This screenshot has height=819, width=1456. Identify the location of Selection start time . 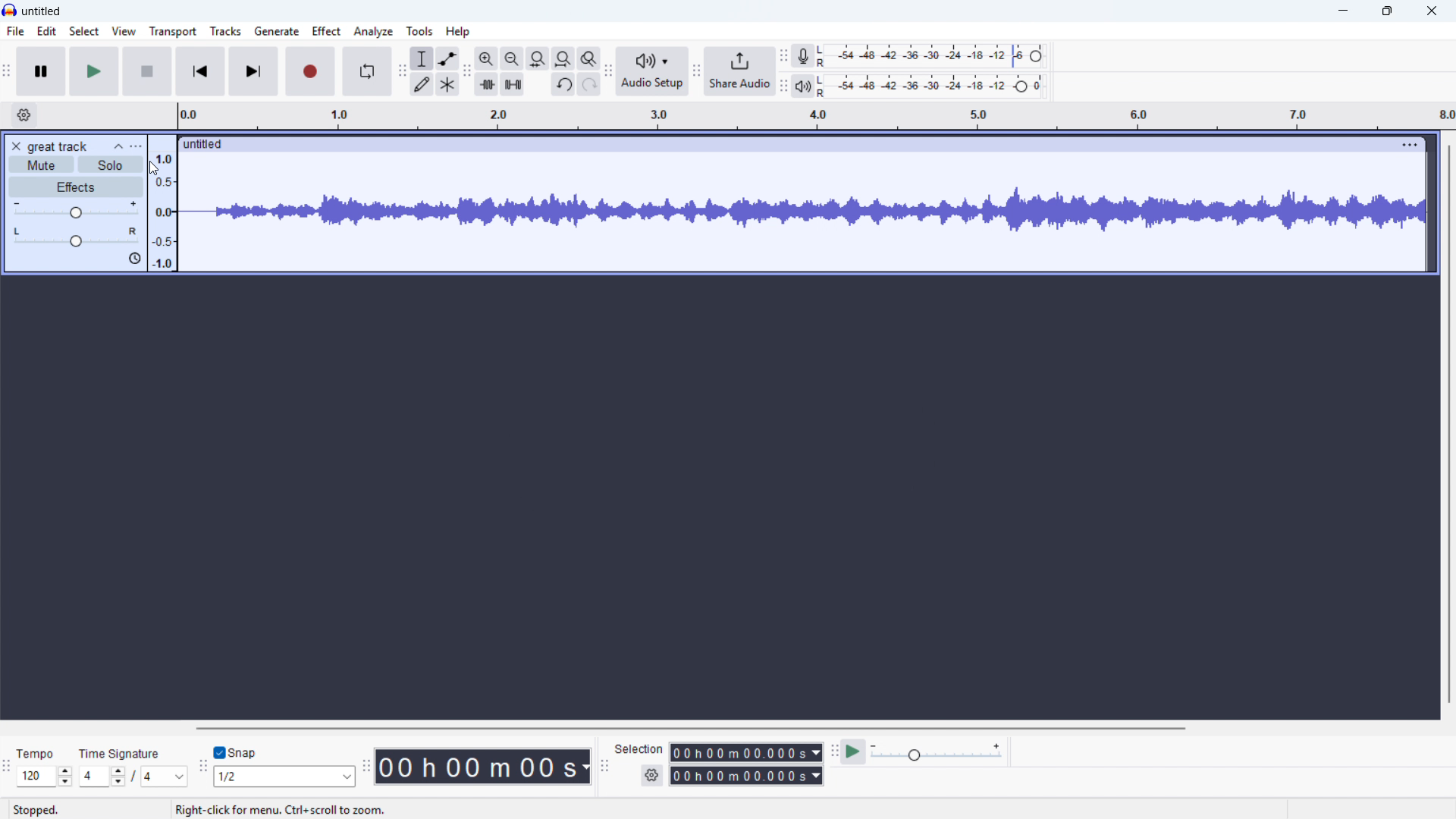
(747, 753).